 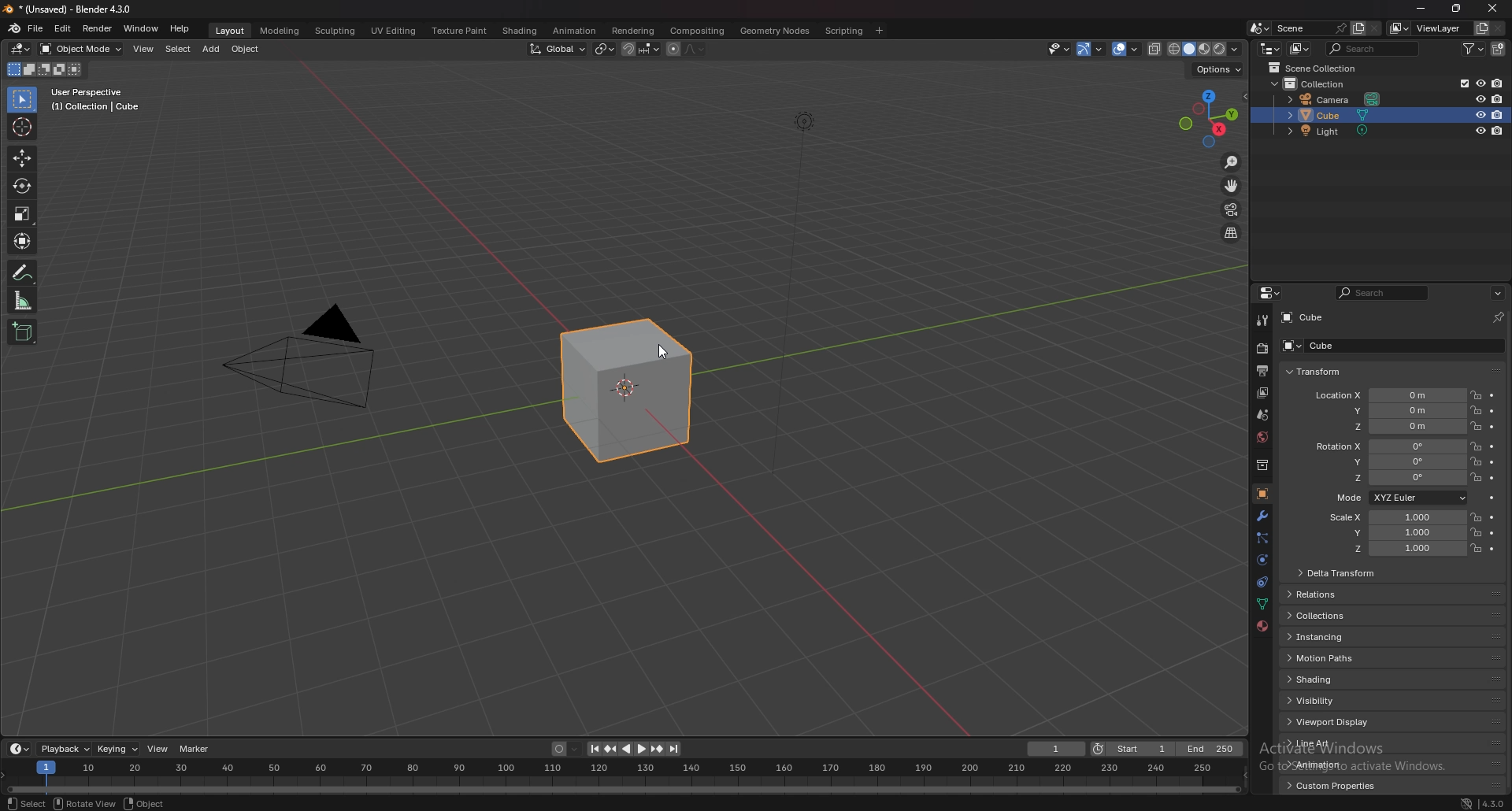 I want to click on transform pivot point, so click(x=605, y=49).